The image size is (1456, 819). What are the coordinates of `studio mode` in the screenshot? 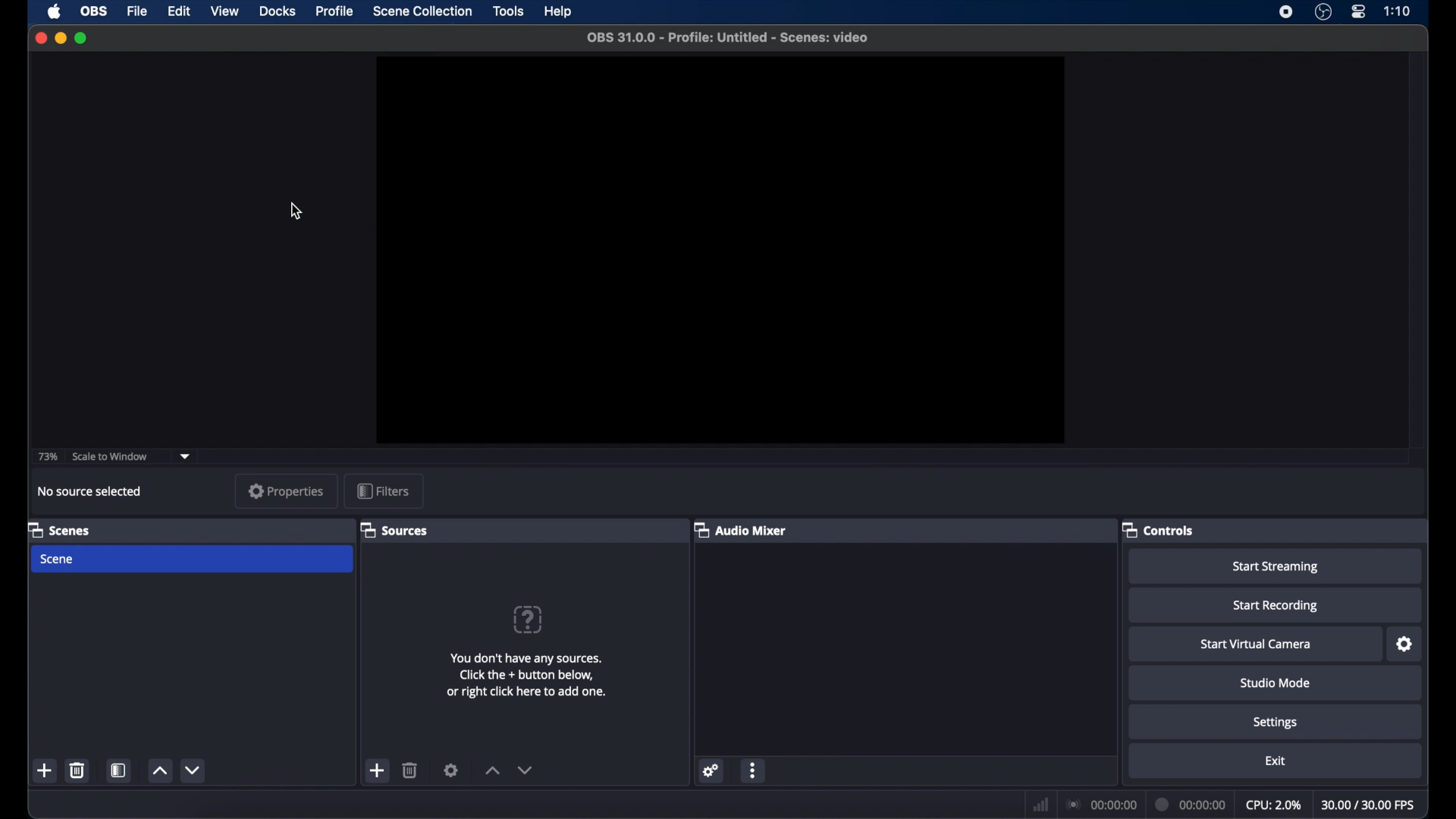 It's located at (1279, 683).